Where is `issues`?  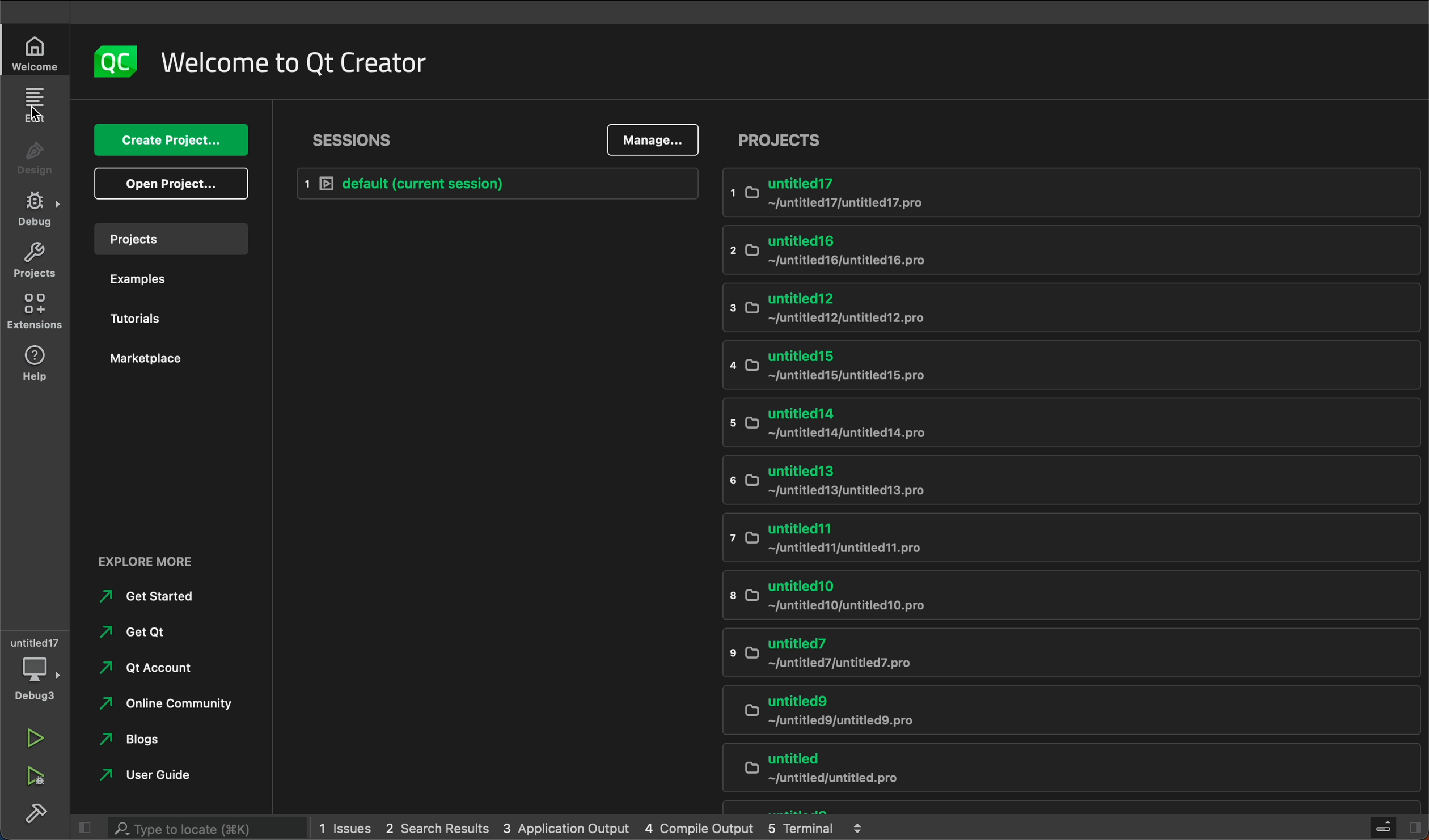 issues is located at coordinates (345, 828).